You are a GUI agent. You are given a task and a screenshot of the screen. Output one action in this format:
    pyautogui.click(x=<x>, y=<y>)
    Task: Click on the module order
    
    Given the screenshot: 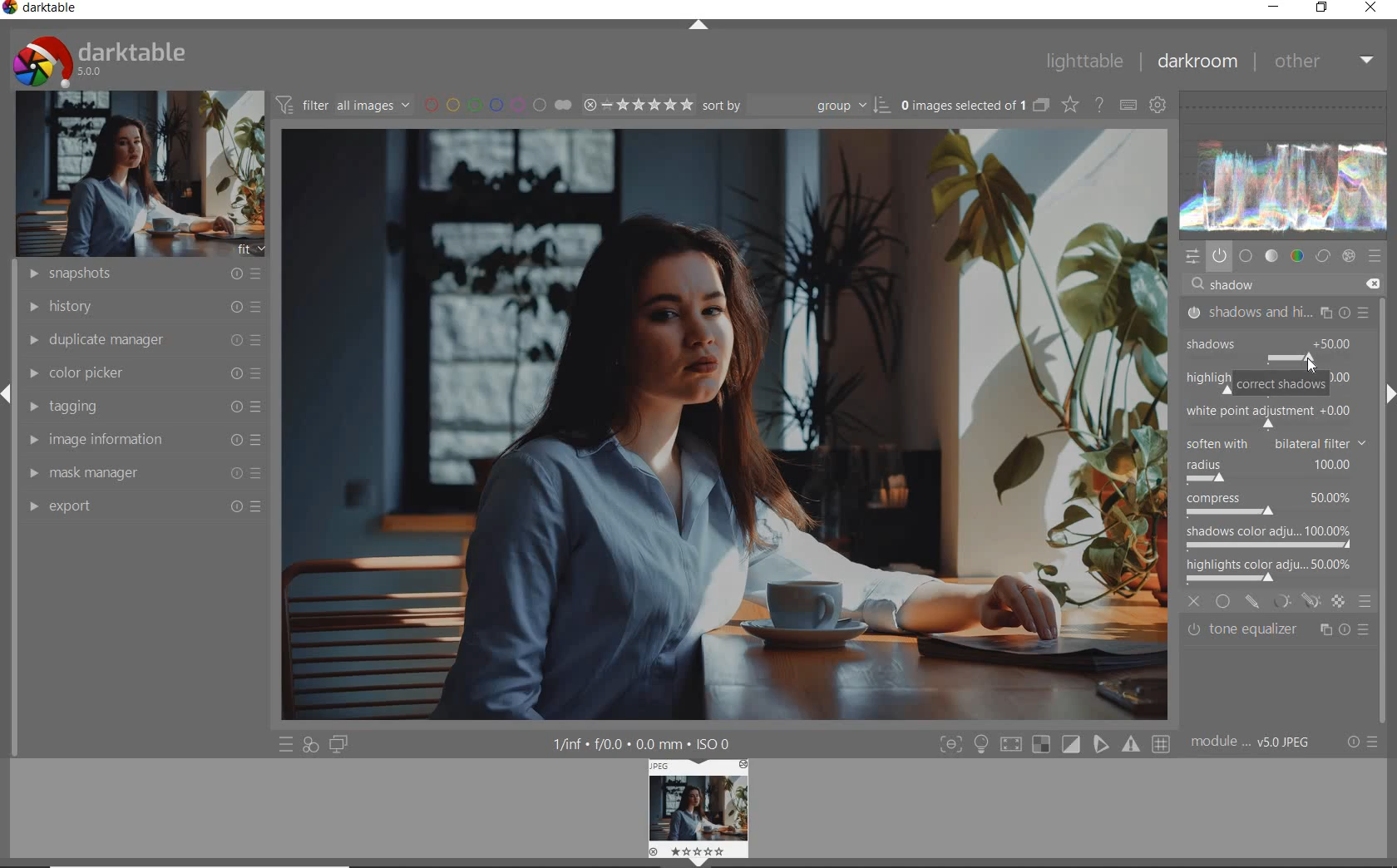 What is the action you would take?
    pyautogui.click(x=1256, y=744)
    